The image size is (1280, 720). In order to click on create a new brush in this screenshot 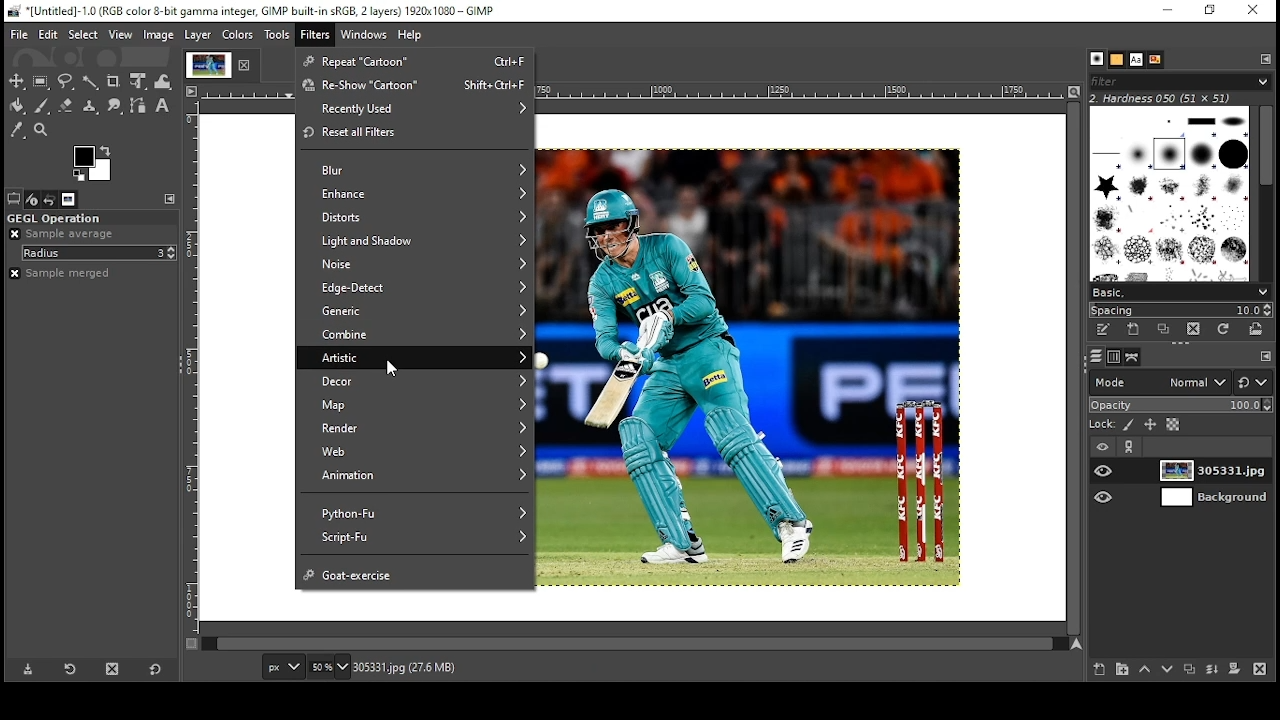, I will do `click(1134, 329)`.